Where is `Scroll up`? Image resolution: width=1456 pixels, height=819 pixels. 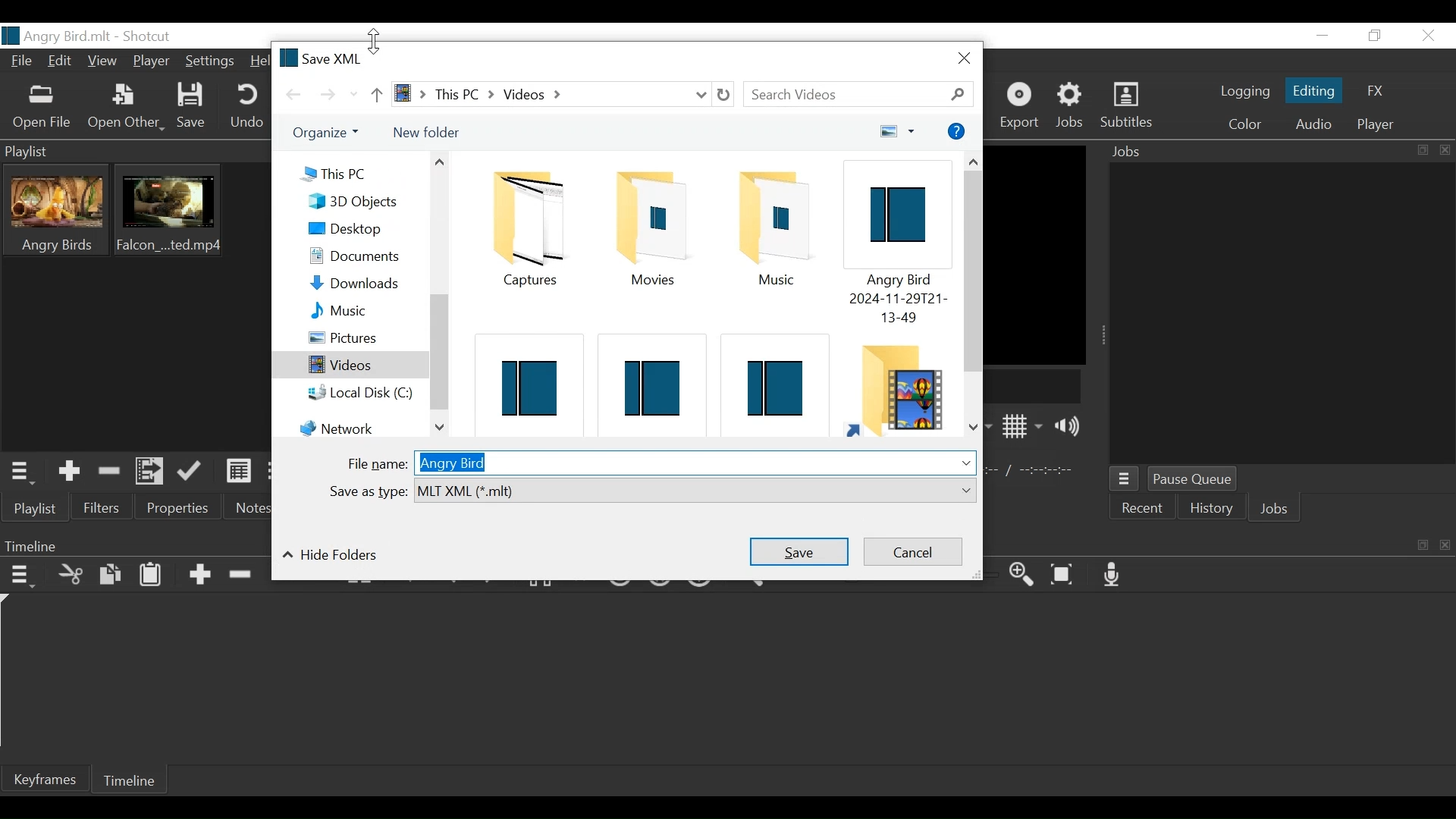 Scroll up is located at coordinates (438, 162).